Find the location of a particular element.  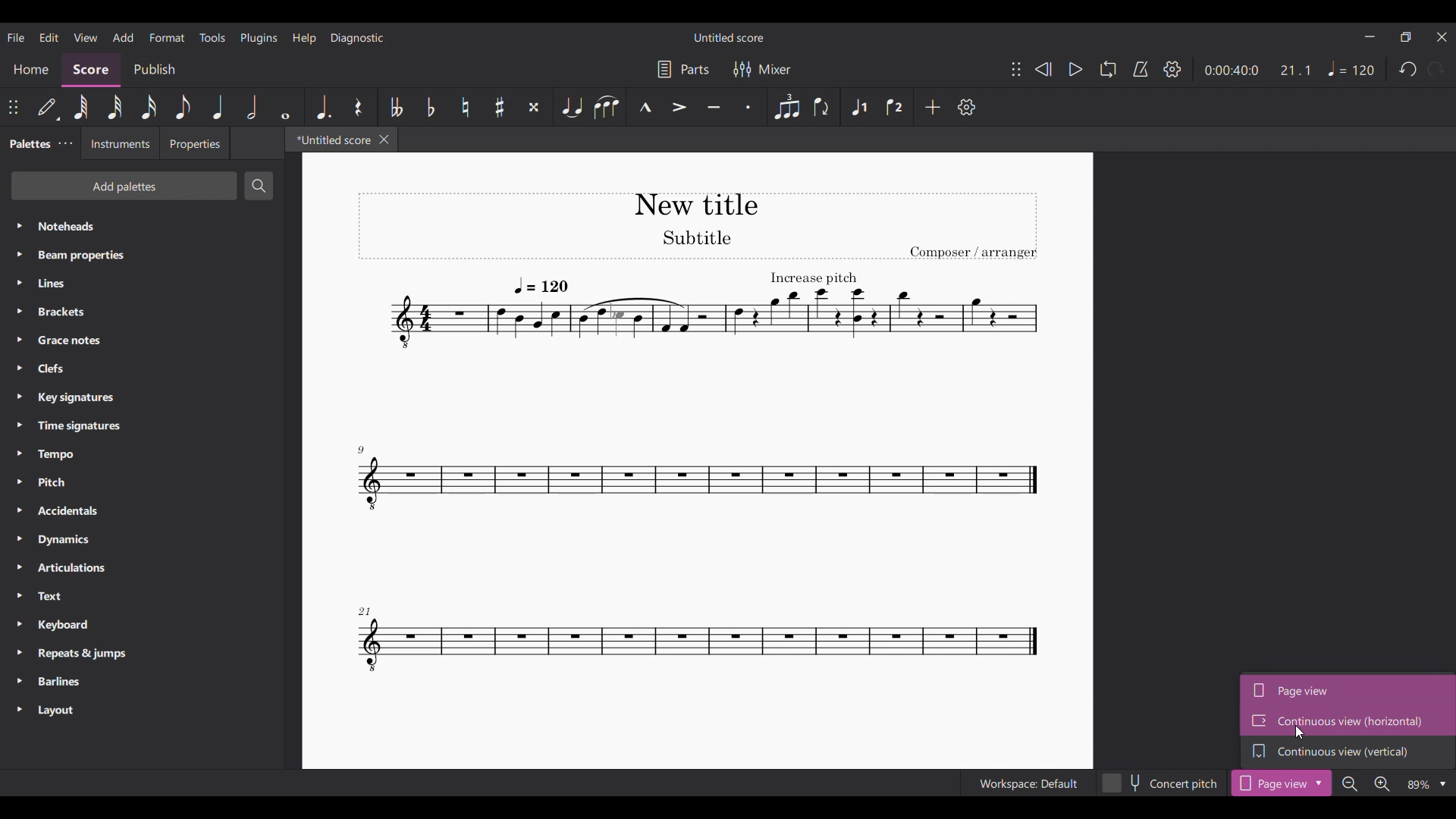

Undo is located at coordinates (1409, 69).